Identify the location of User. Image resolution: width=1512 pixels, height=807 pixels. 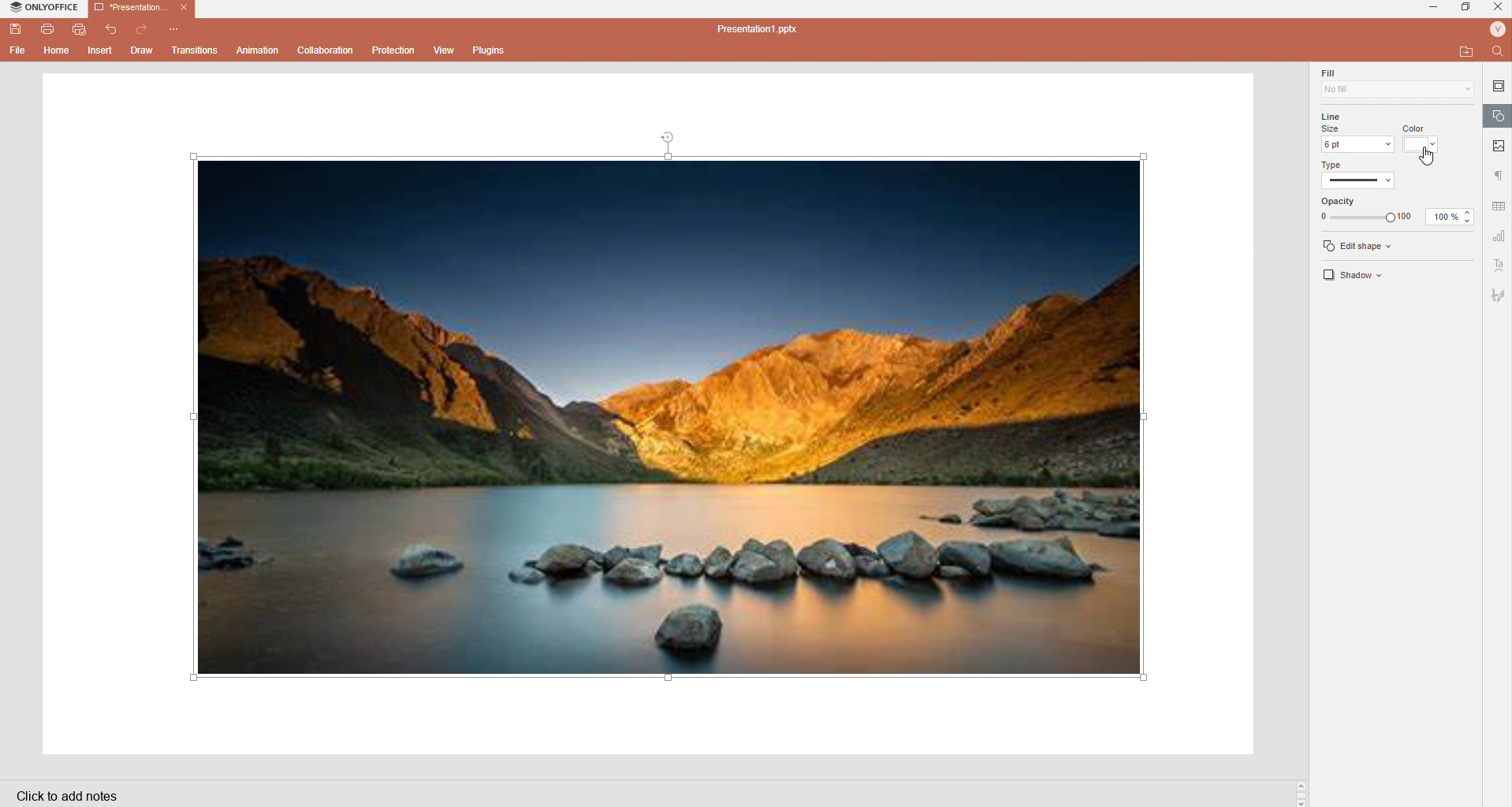
(1497, 30).